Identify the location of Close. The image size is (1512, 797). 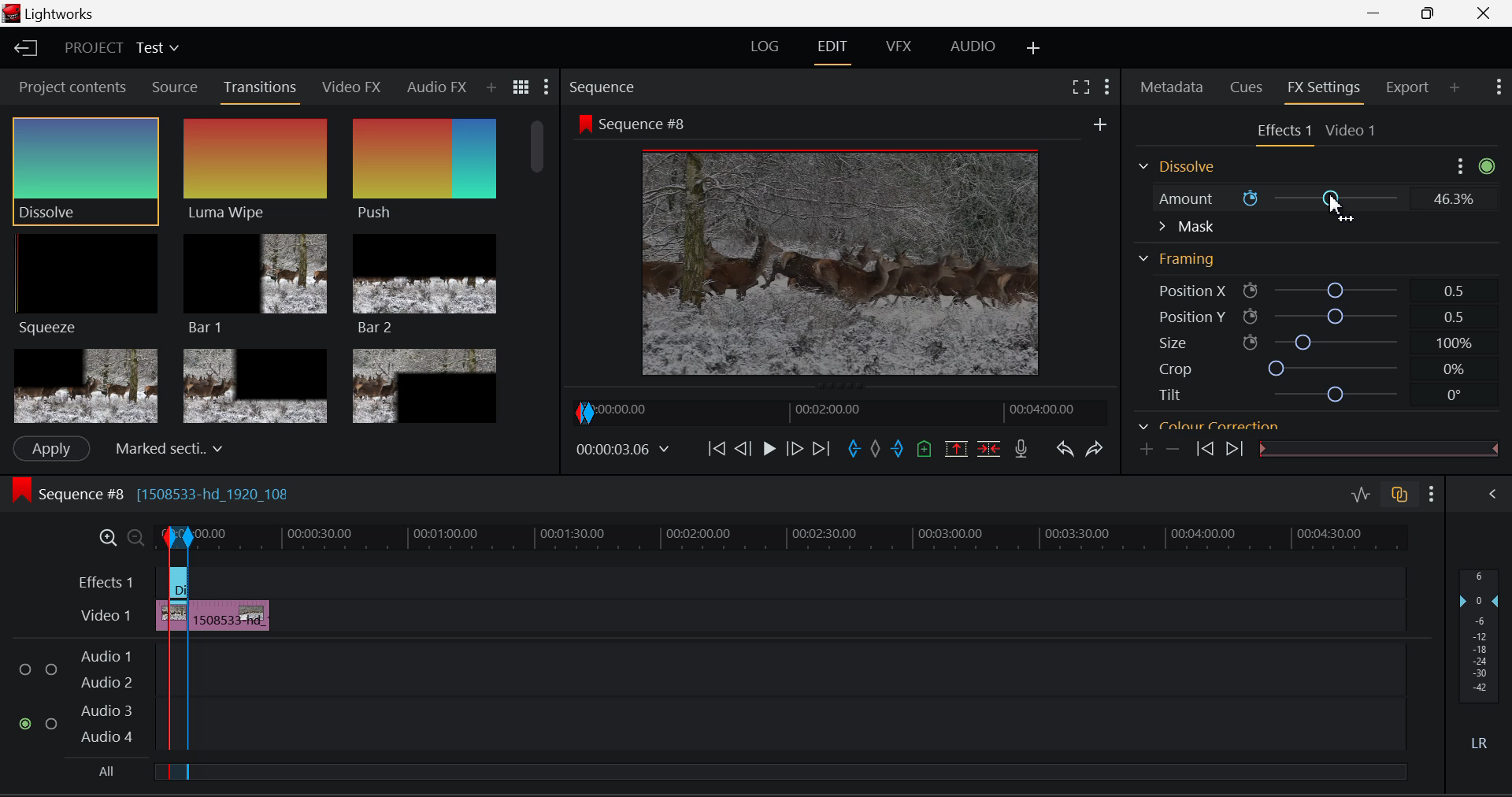
(1485, 13).